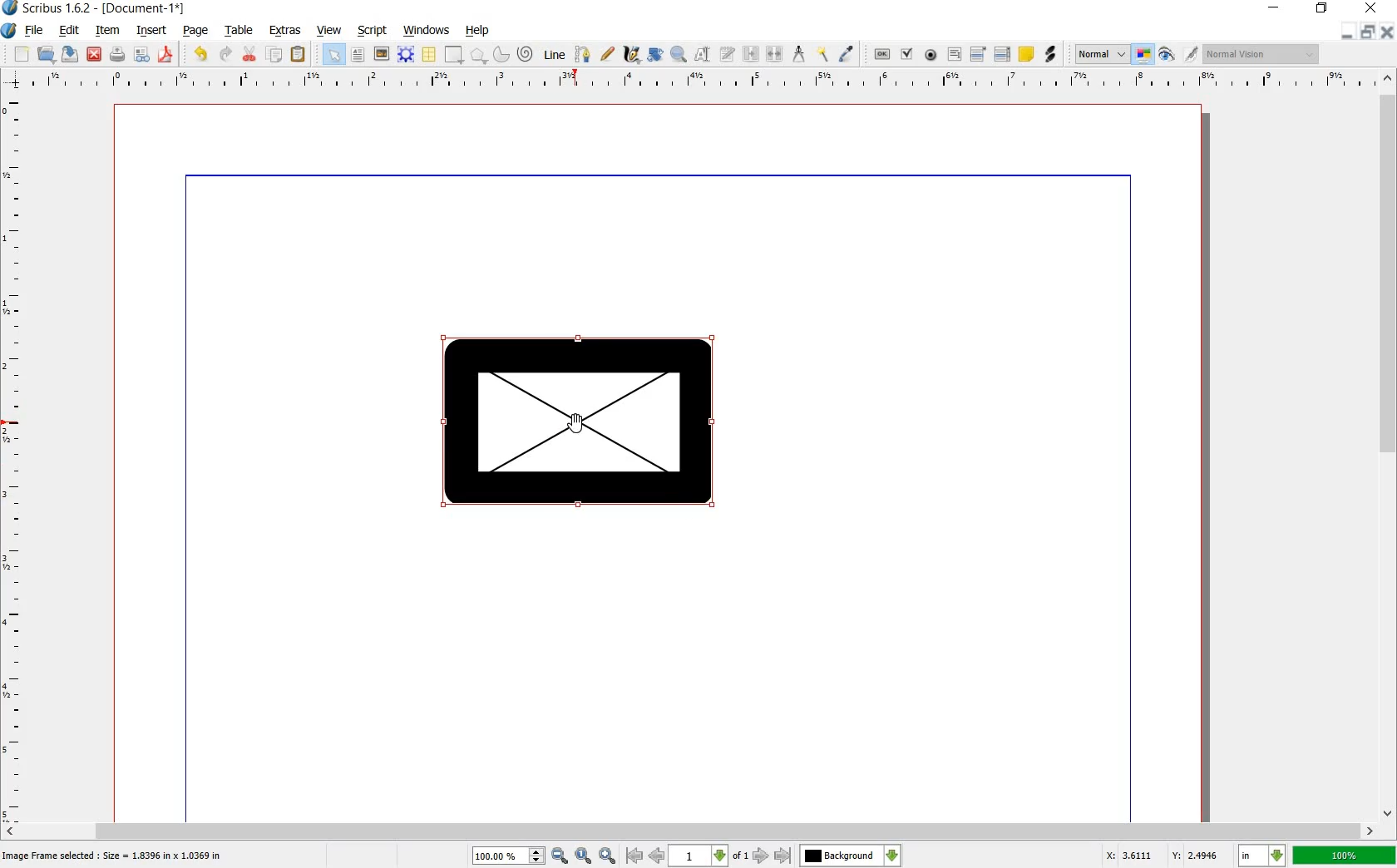 This screenshot has height=868, width=1397. What do you see at coordinates (525, 53) in the screenshot?
I see `spiral` at bounding box center [525, 53].